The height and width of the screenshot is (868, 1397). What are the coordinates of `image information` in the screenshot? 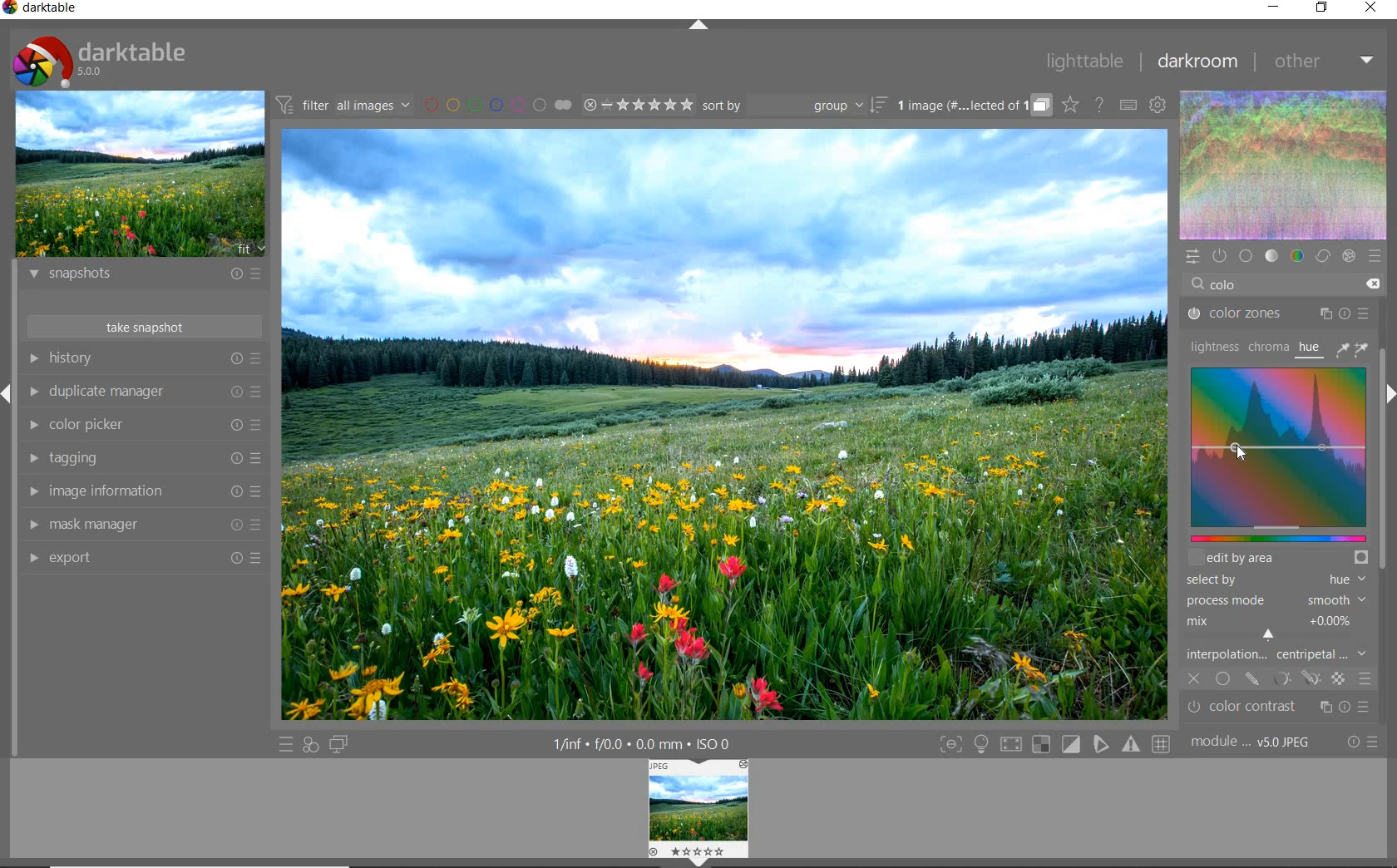 It's located at (141, 492).